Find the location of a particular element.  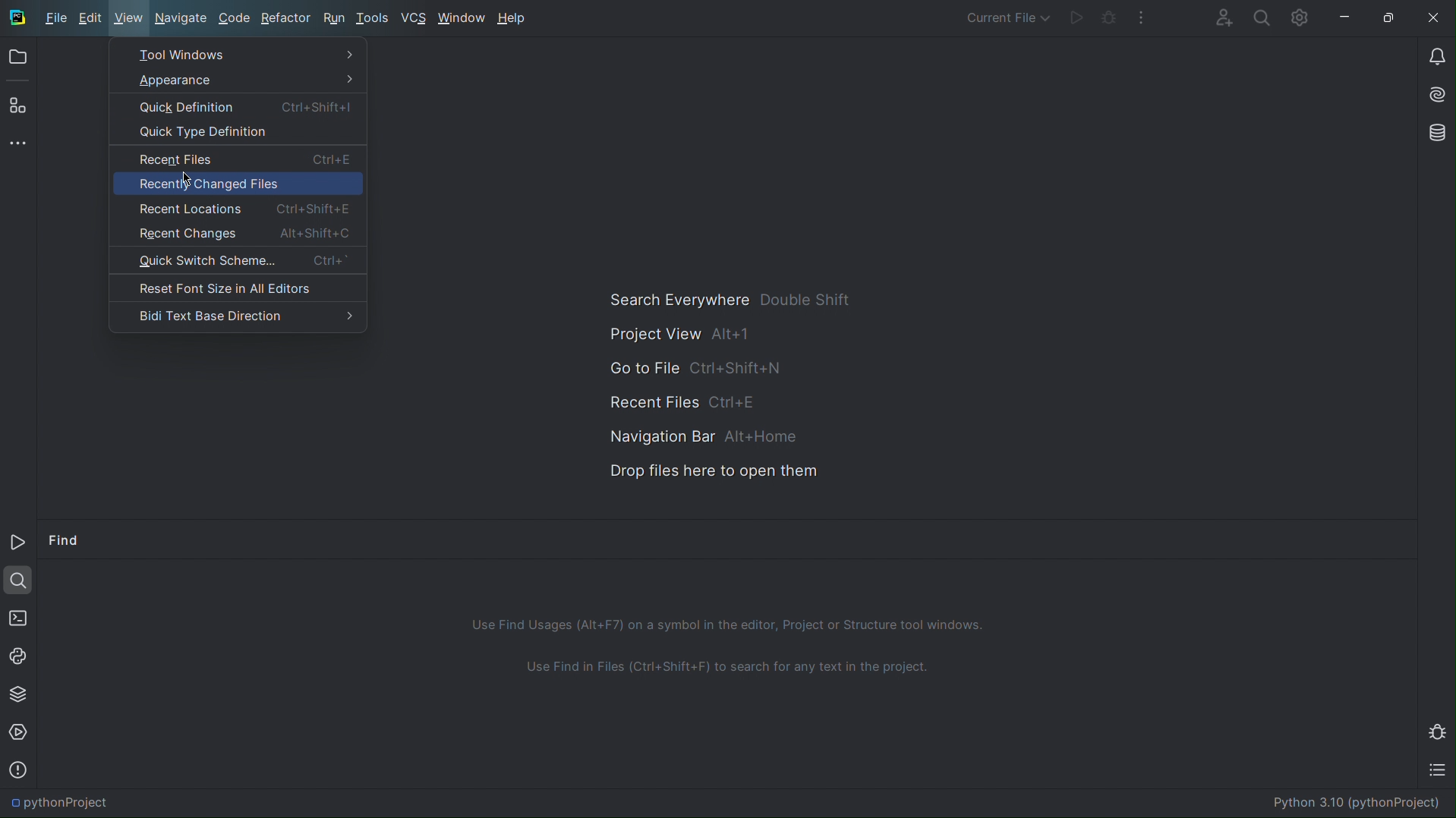

Problems is located at coordinates (17, 769).